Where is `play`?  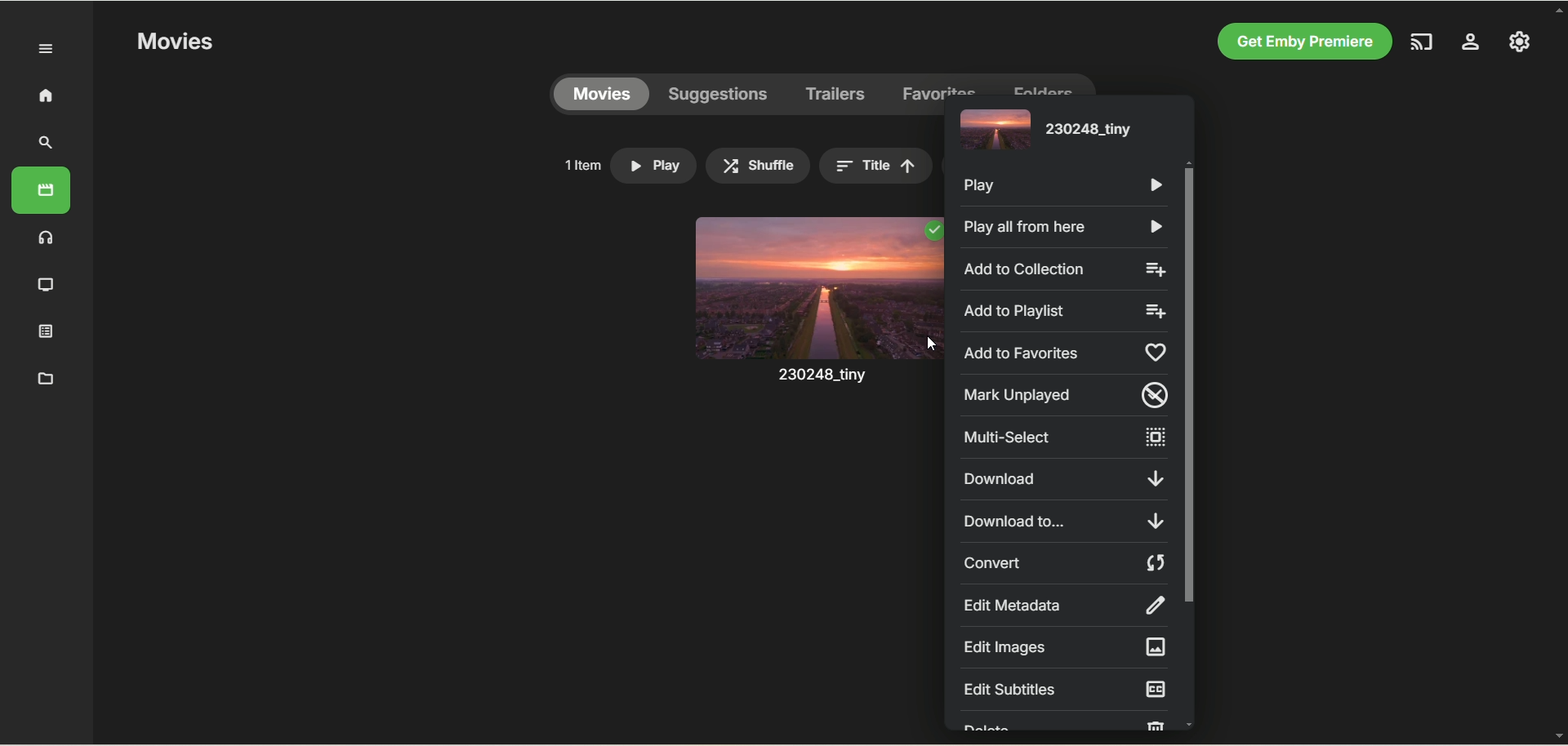 play is located at coordinates (1066, 187).